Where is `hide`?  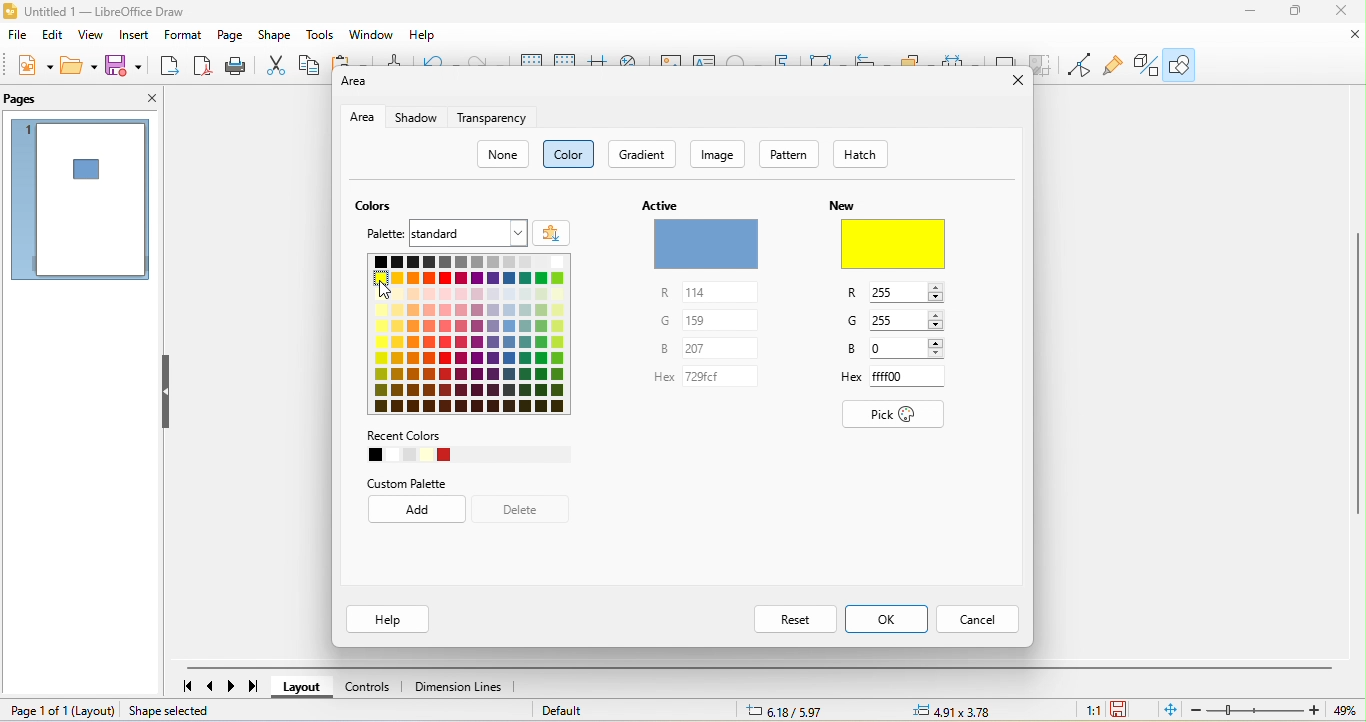
hide is located at coordinates (172, 393).